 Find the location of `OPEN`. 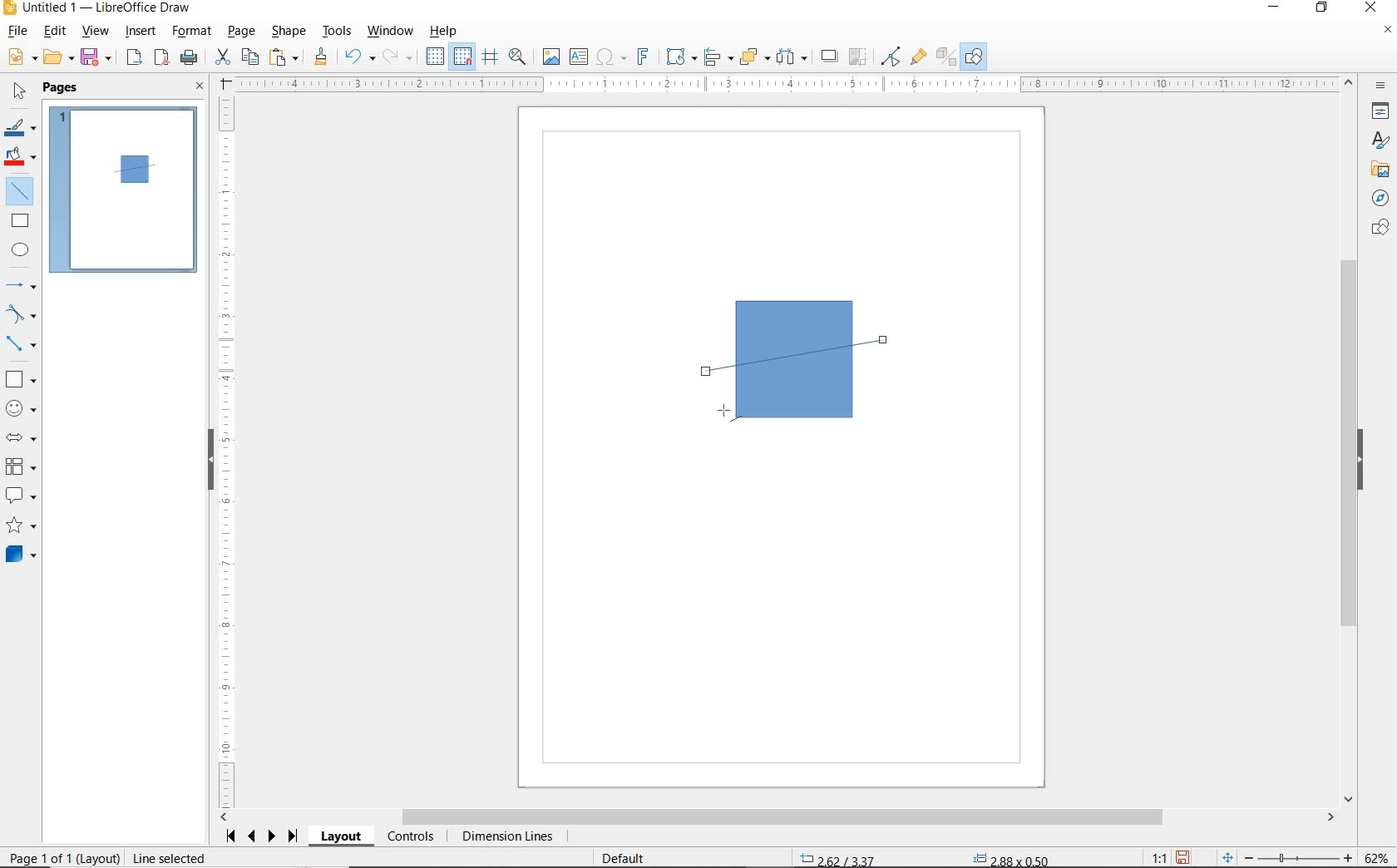

OPEN is located at coordinates (59, 57).